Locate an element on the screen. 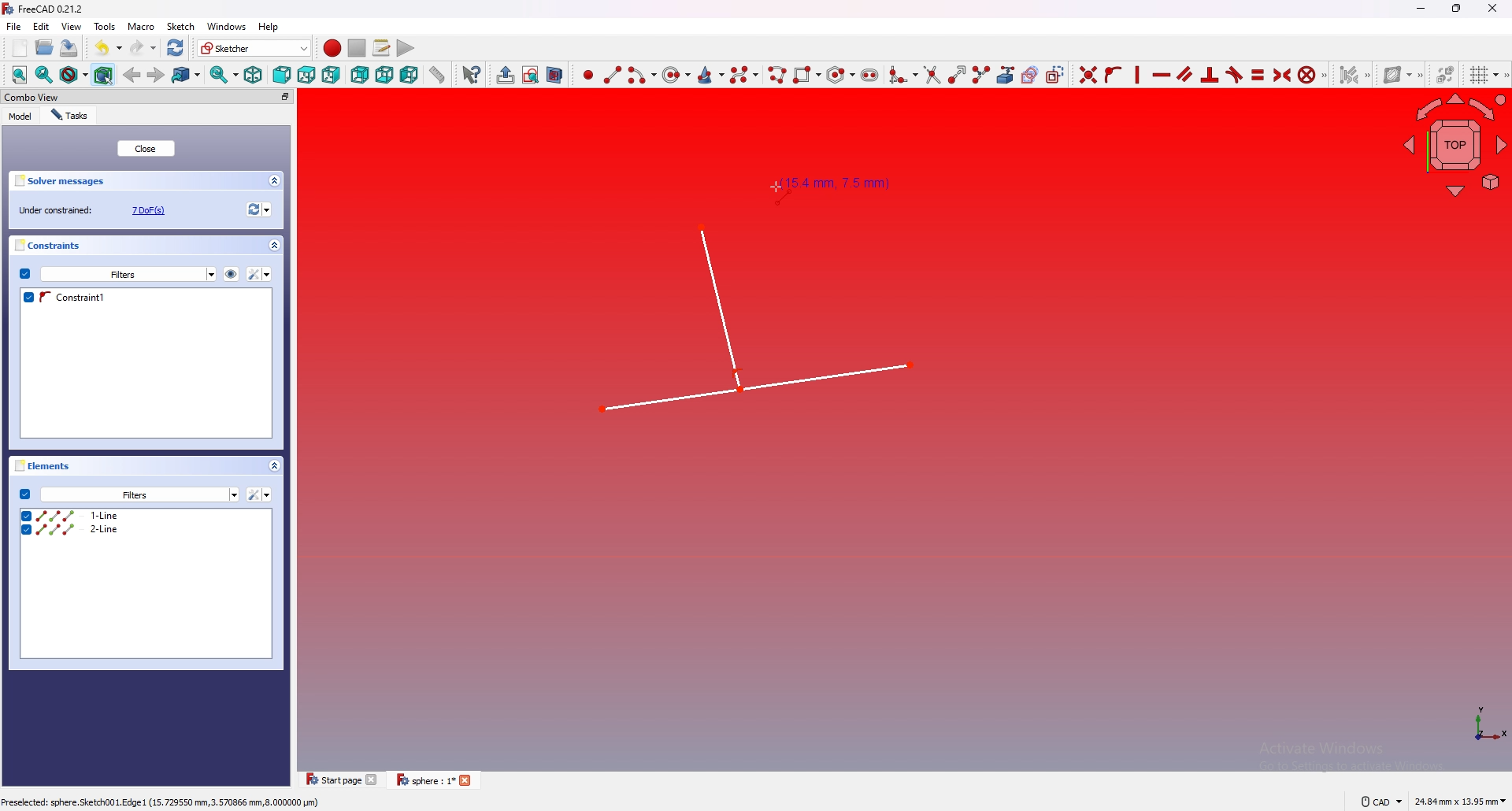 The image size is (1512, 811). Forward is located at coordinates (156, 74).